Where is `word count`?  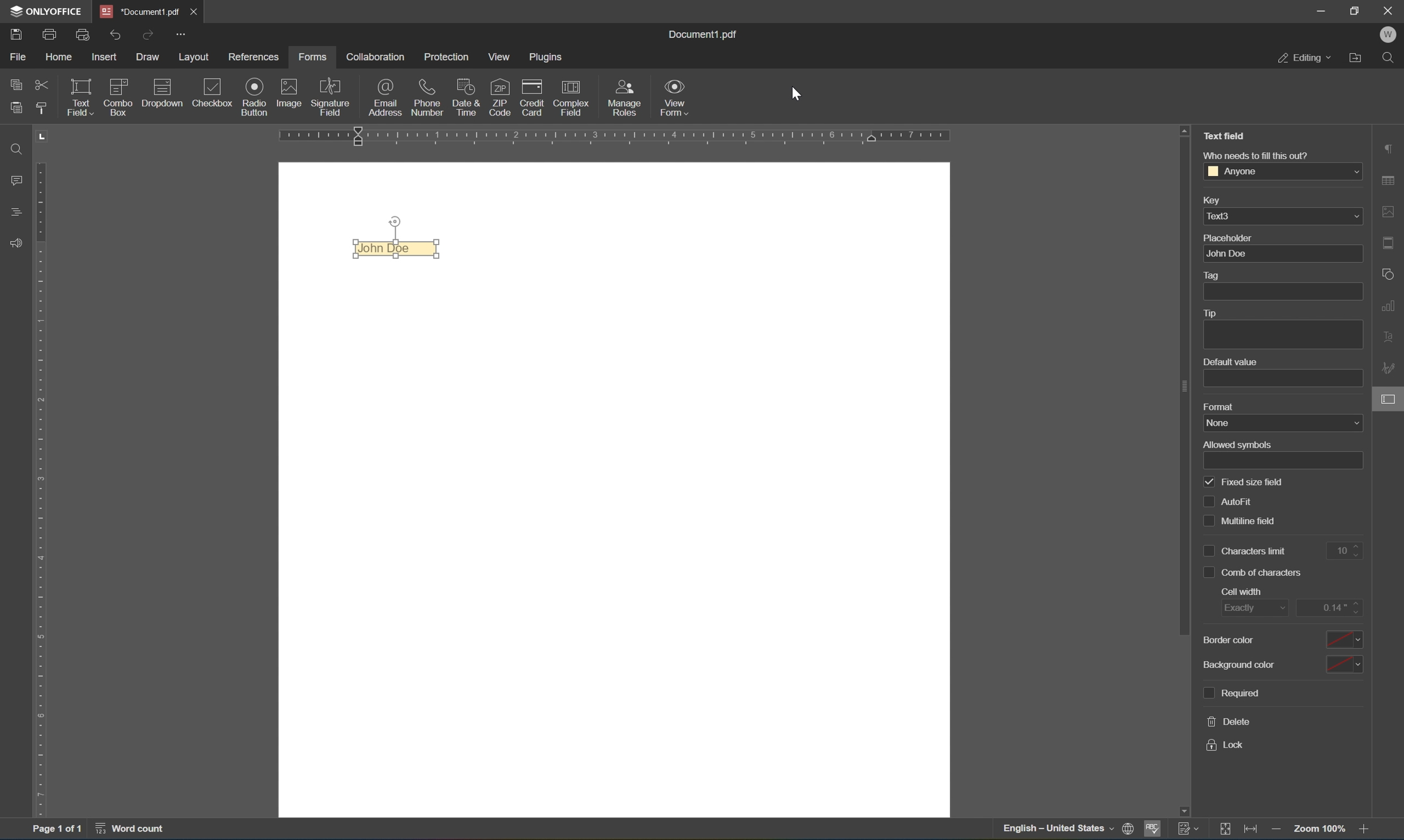 word count is located at coordinates (134, 830).